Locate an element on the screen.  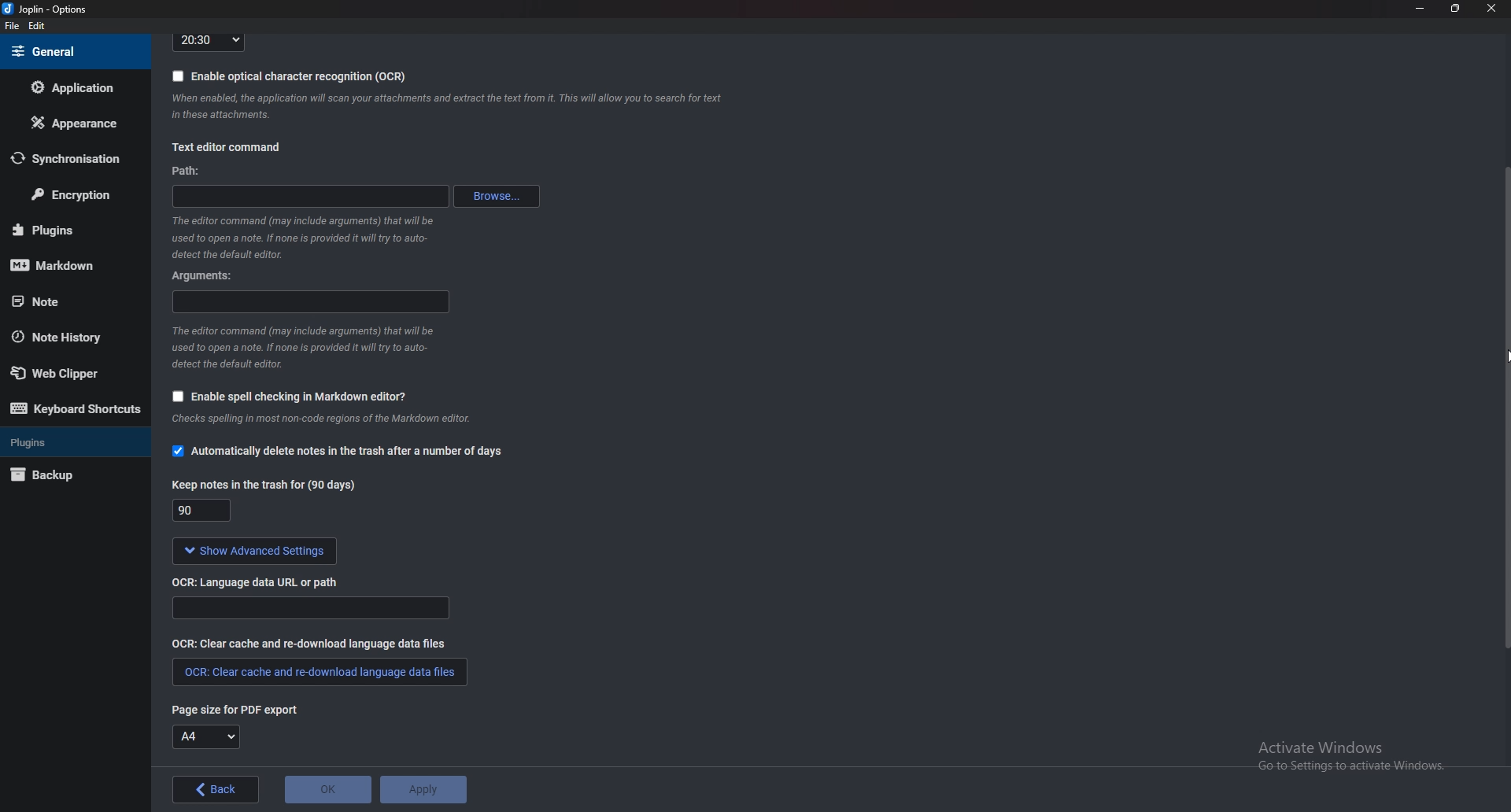
file is located at coordinates (14, 26).